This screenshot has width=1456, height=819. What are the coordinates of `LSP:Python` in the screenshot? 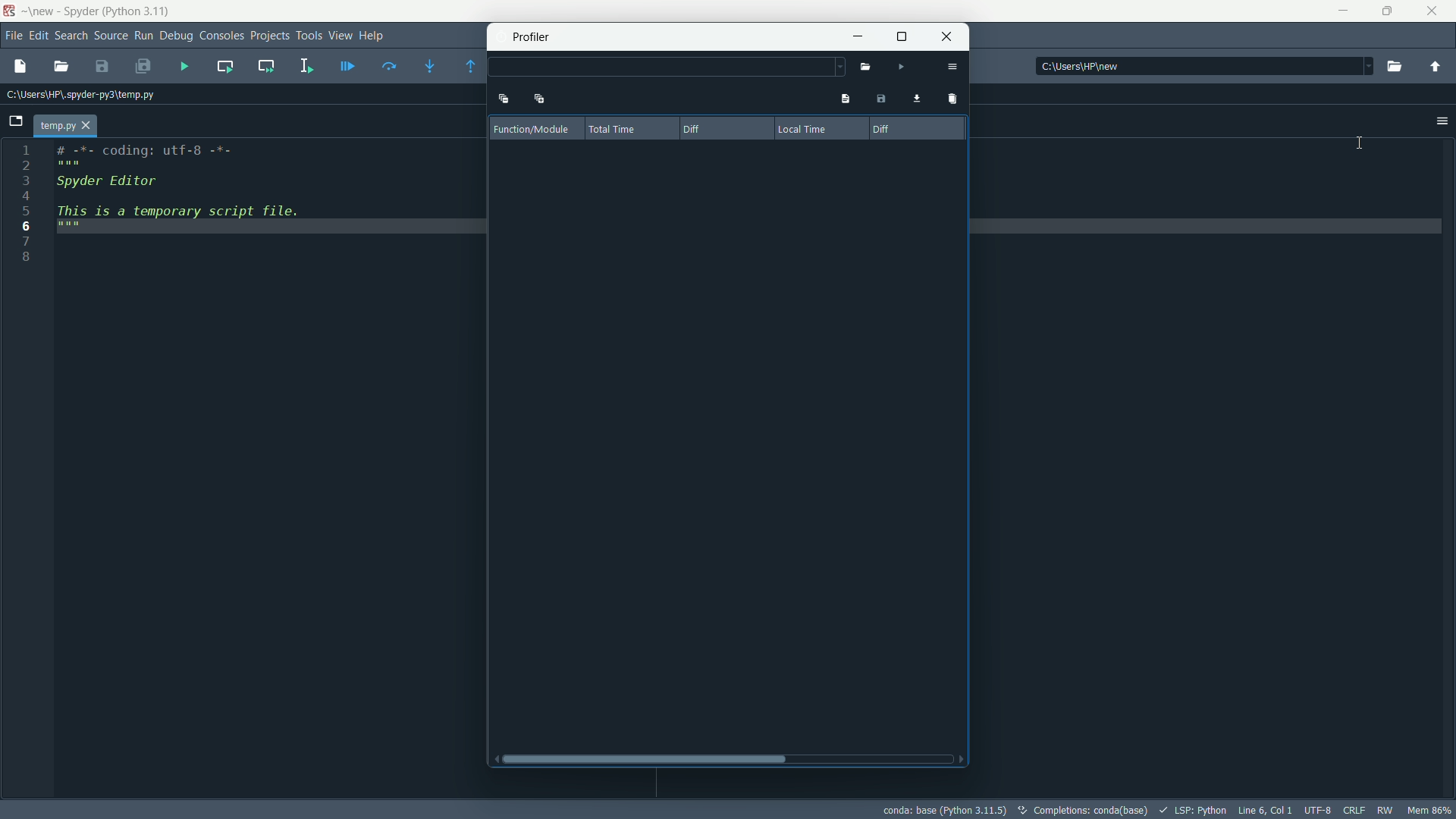 It's located at (1190, 808).